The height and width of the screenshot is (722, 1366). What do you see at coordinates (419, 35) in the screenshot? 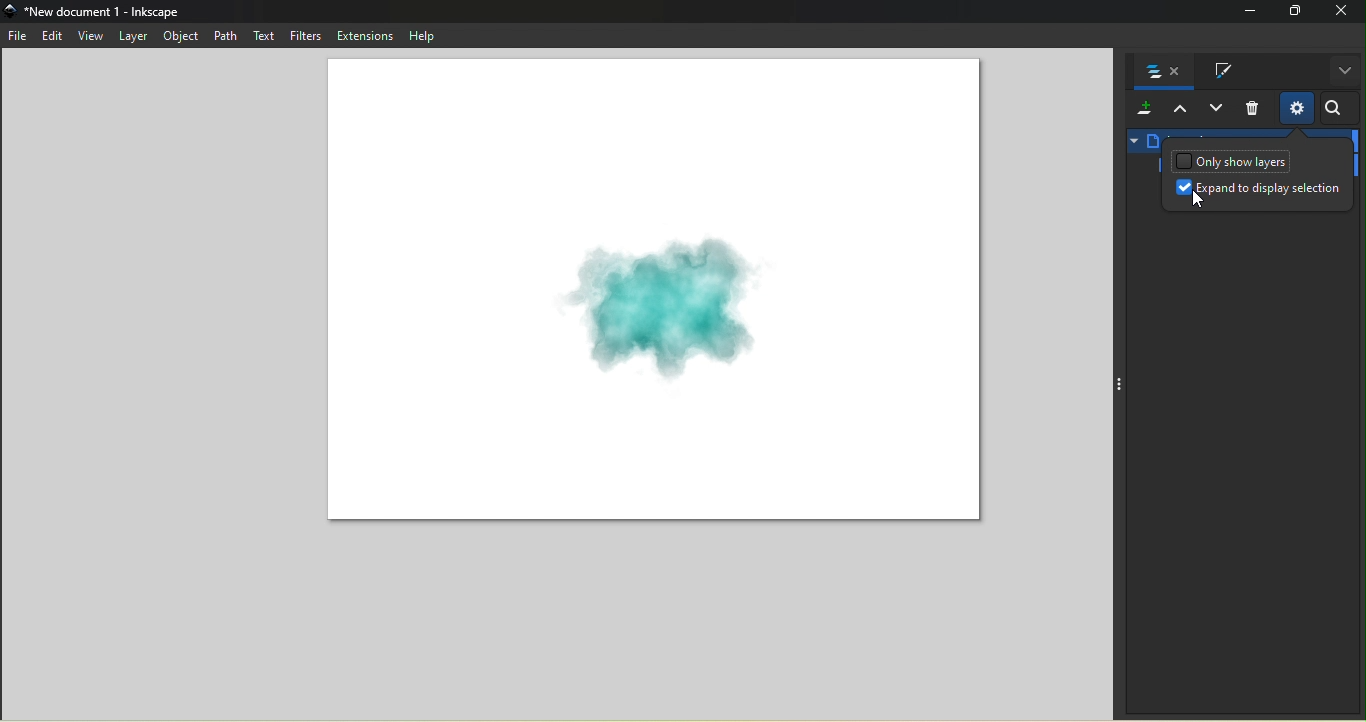
I see `Help` at bounding box center [419, 35].